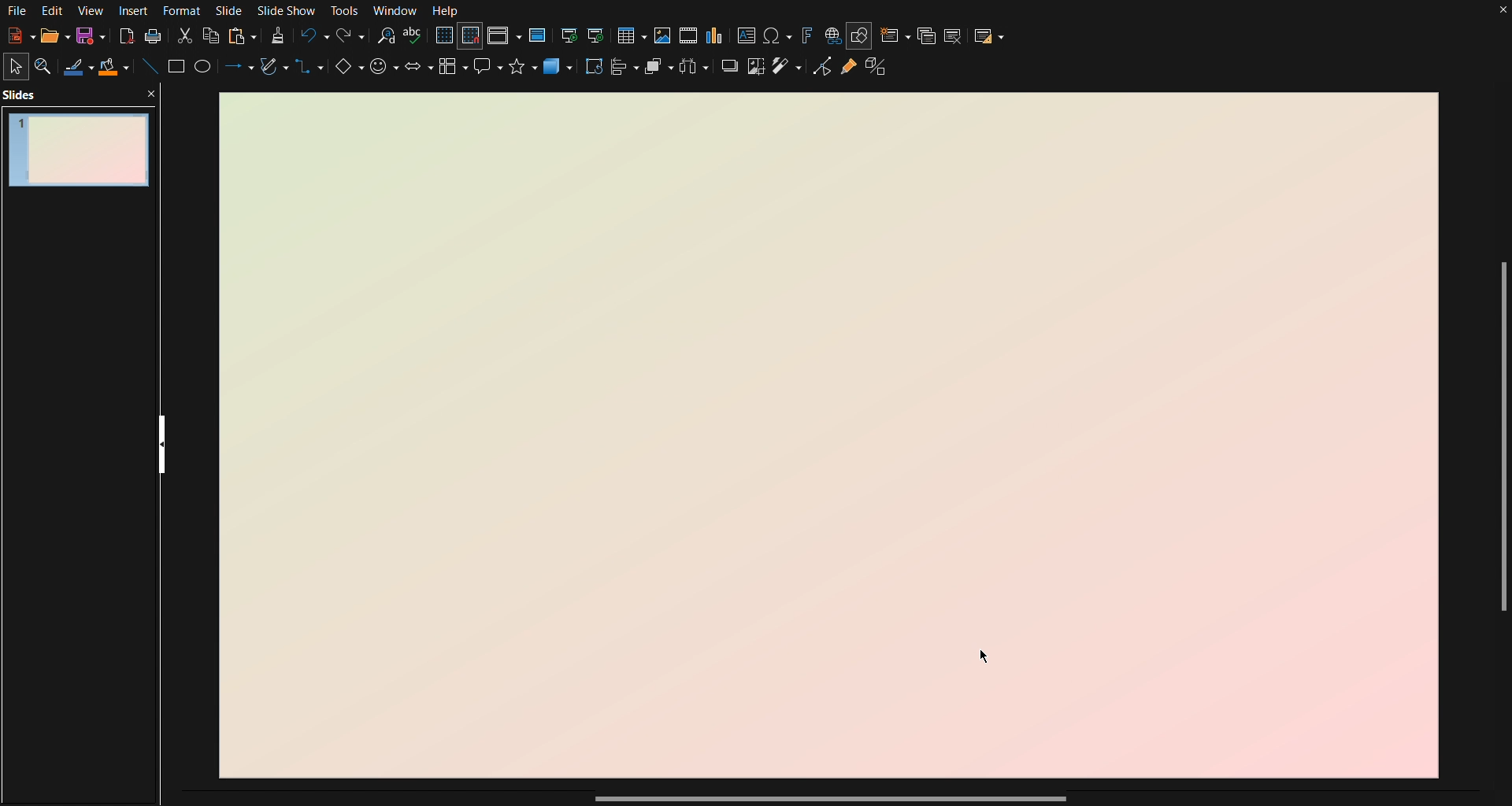 The width and height of the screenshot is (1512, 806). I want to click on Arrange, so click(659, 70).